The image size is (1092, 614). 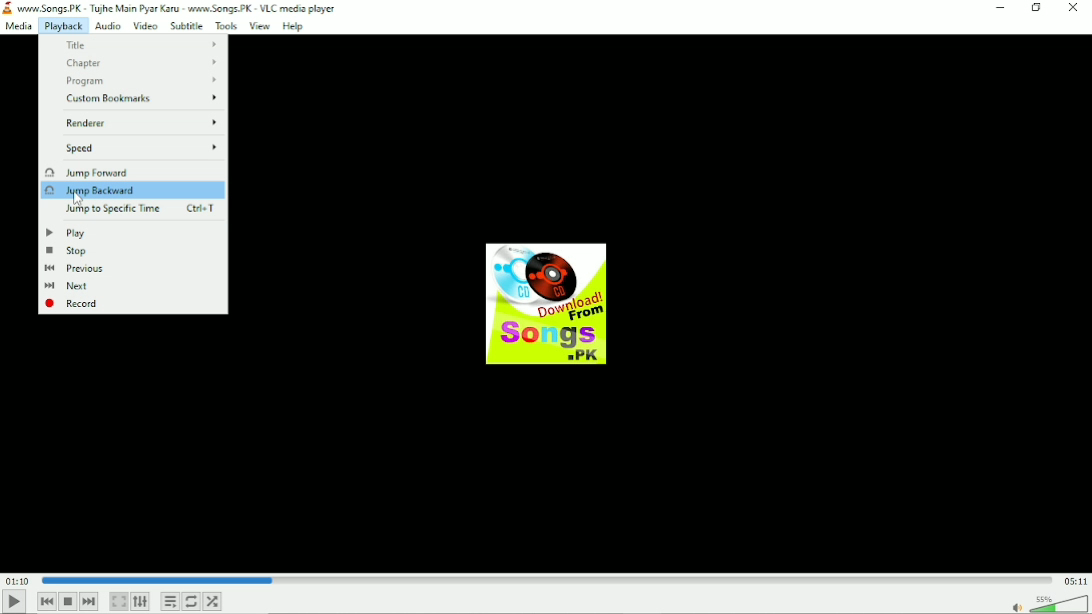 What do you see at coordinates (142, 148) in the screenshot?
I see `Speed` at bounding box center [142, 148].